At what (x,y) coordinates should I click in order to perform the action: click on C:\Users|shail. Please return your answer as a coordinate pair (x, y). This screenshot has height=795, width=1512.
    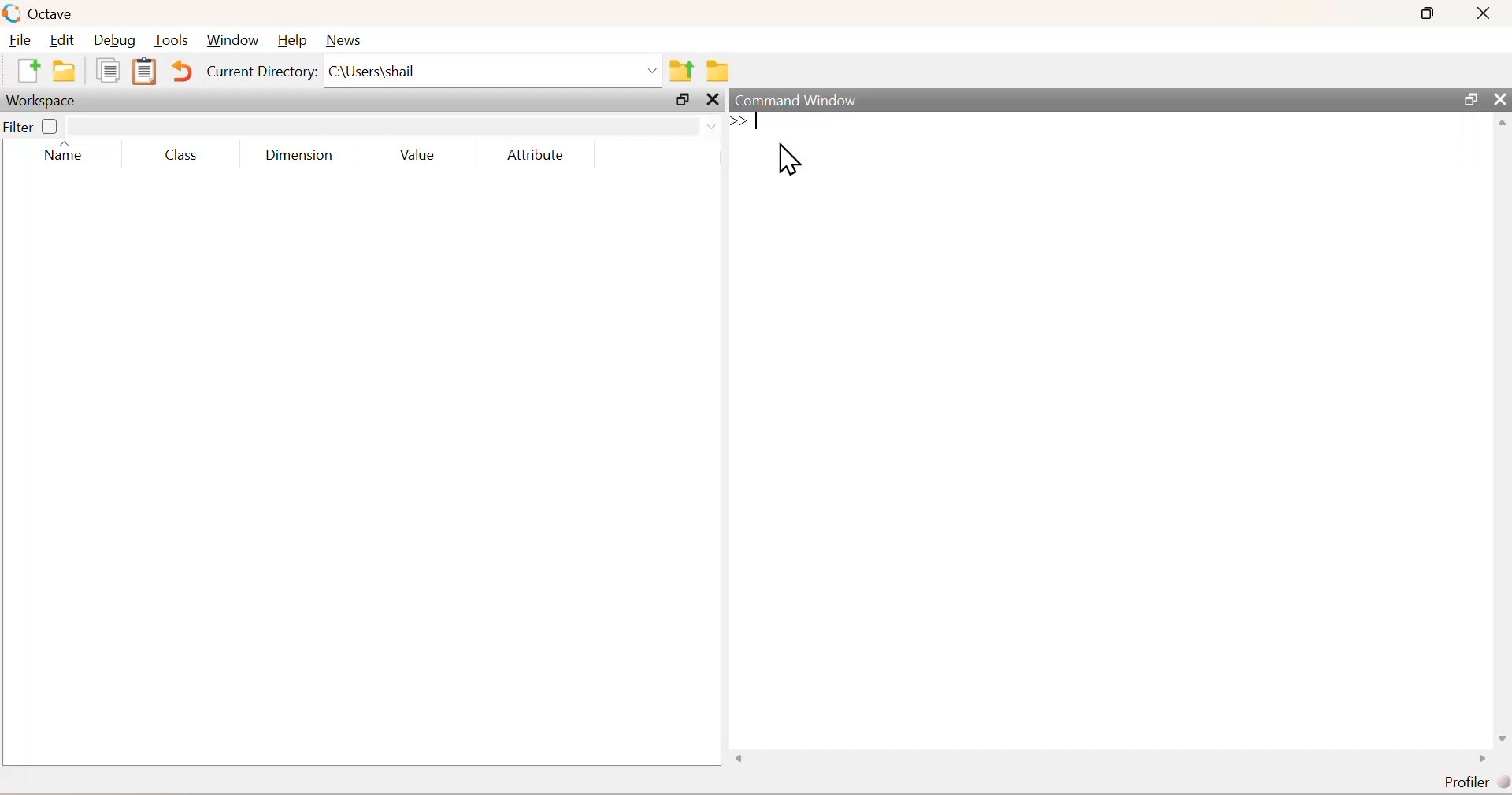
    Looking at the image, I should click on (491, 70).